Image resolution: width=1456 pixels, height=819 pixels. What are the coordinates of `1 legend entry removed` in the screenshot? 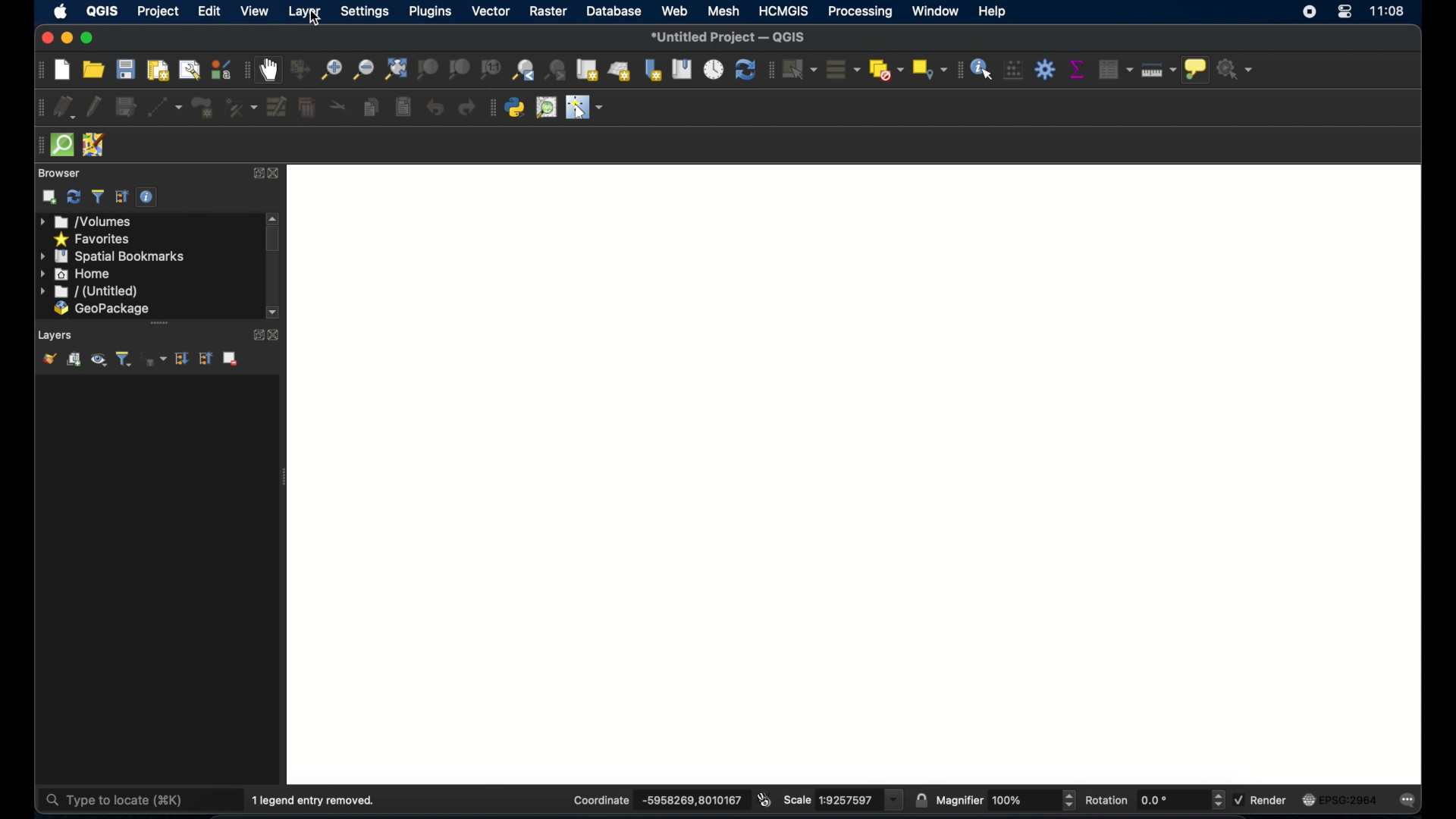 It's located at (318, 799).